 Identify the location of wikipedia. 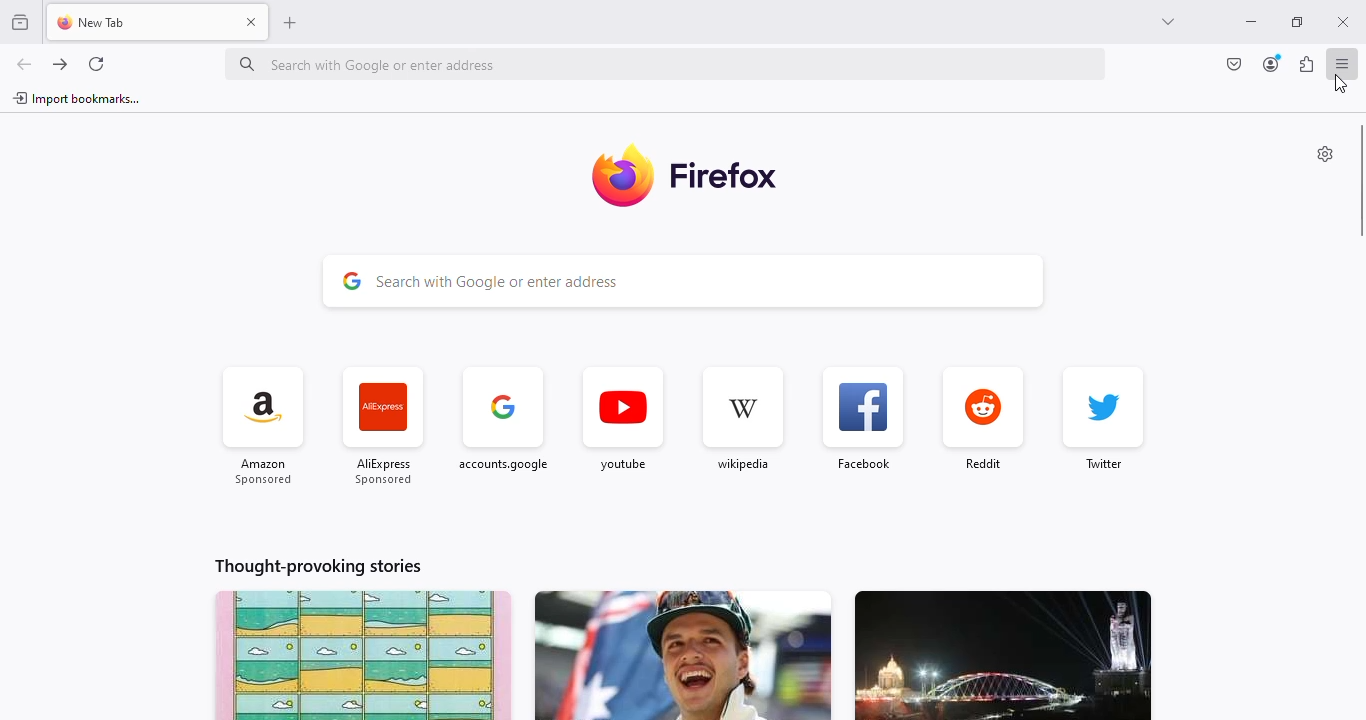
(741, 420).